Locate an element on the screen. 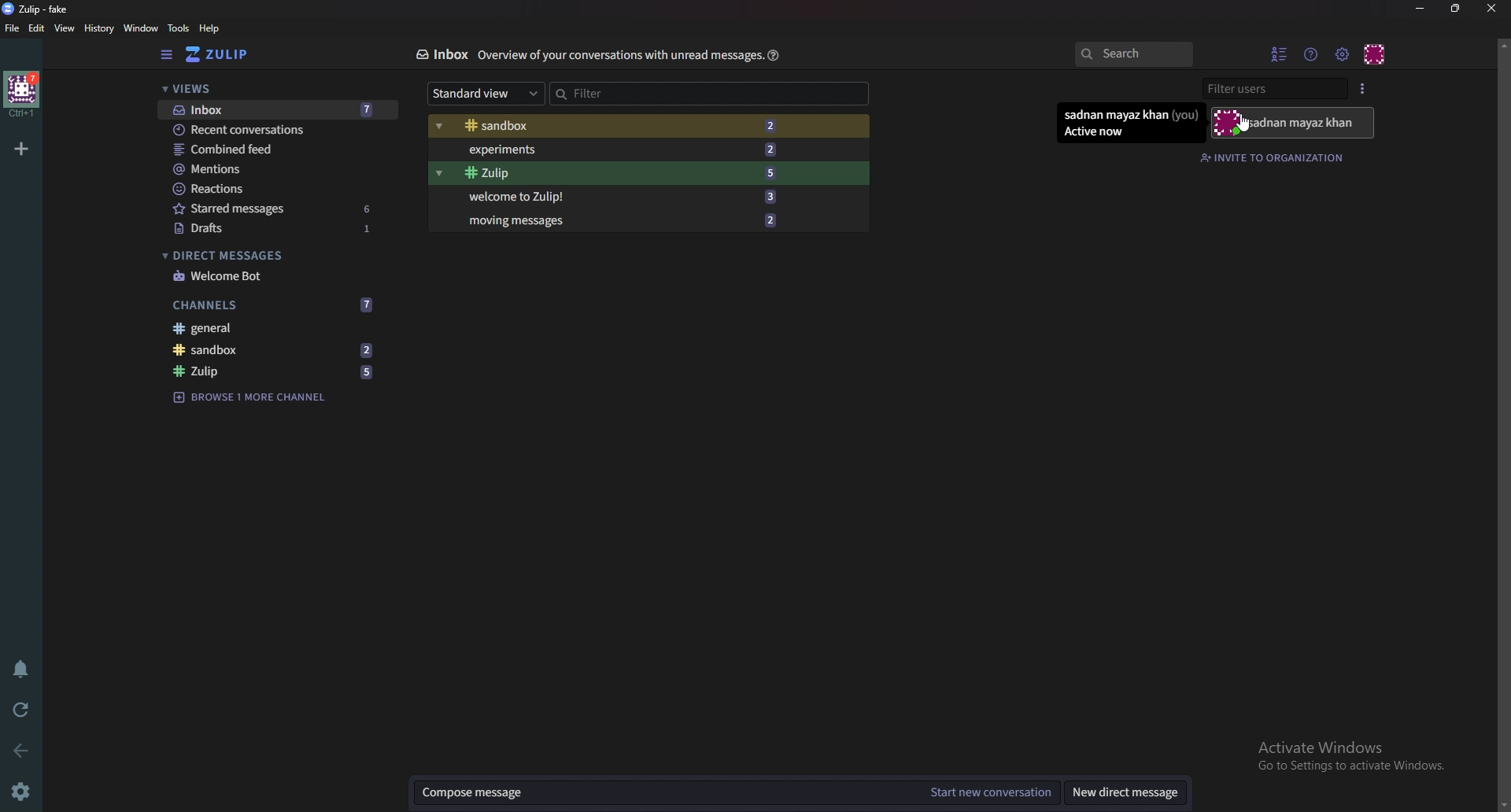 The width and height of the screenshot is (1511, 812). Experiments is located at coordinates (615, 150).